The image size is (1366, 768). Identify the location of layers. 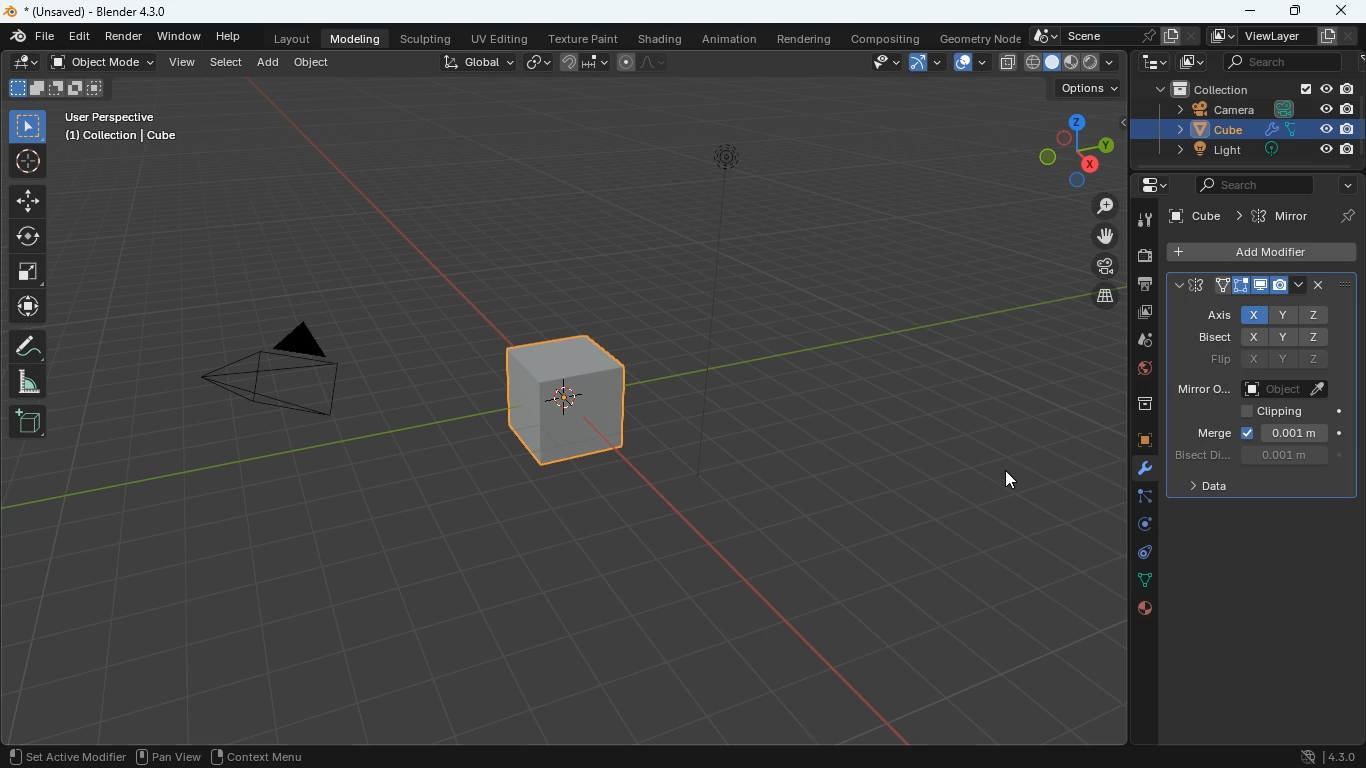
(1098, 299).